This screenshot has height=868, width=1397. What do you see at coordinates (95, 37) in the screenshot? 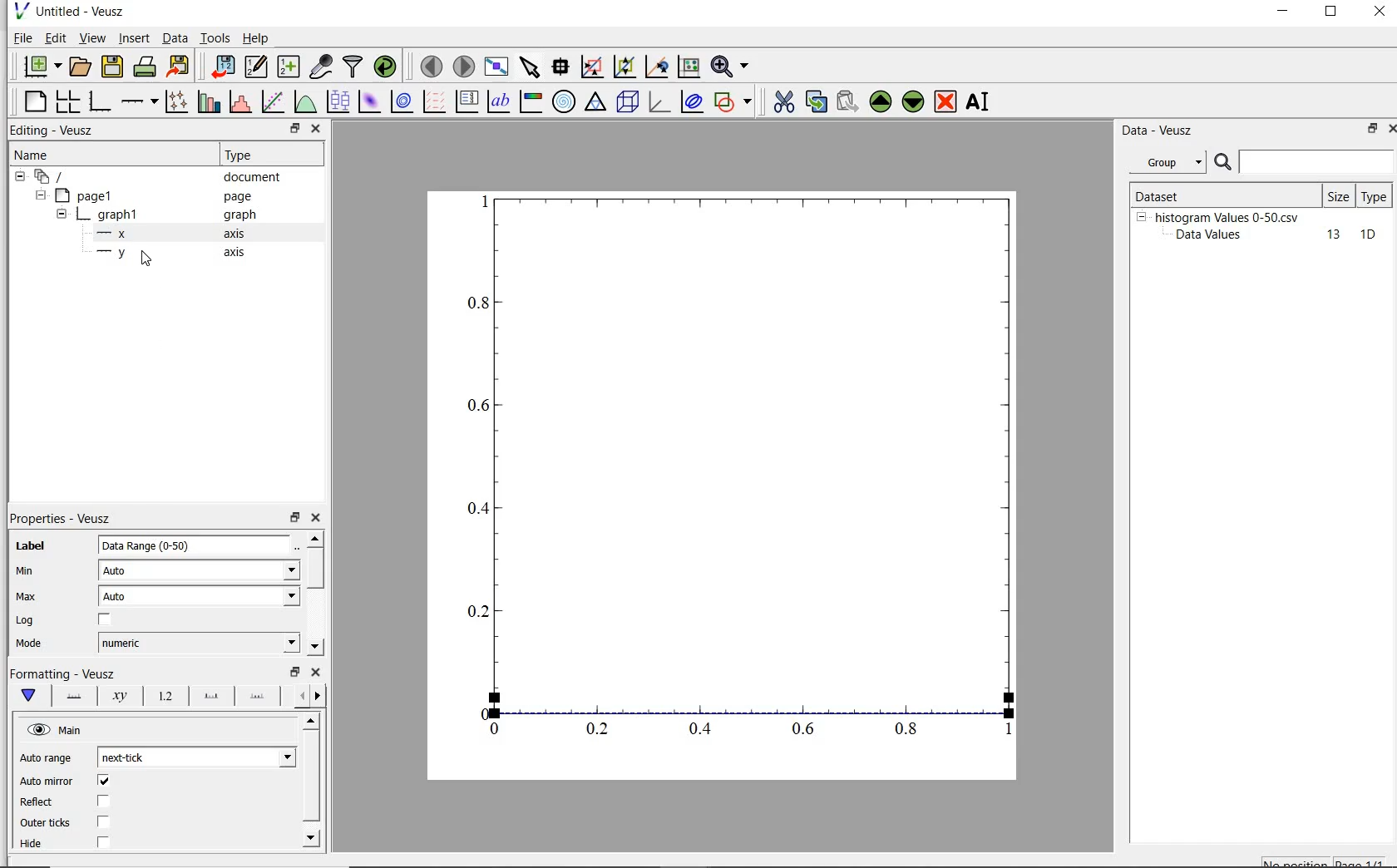
I see `view` at bounding box center [95, 37].